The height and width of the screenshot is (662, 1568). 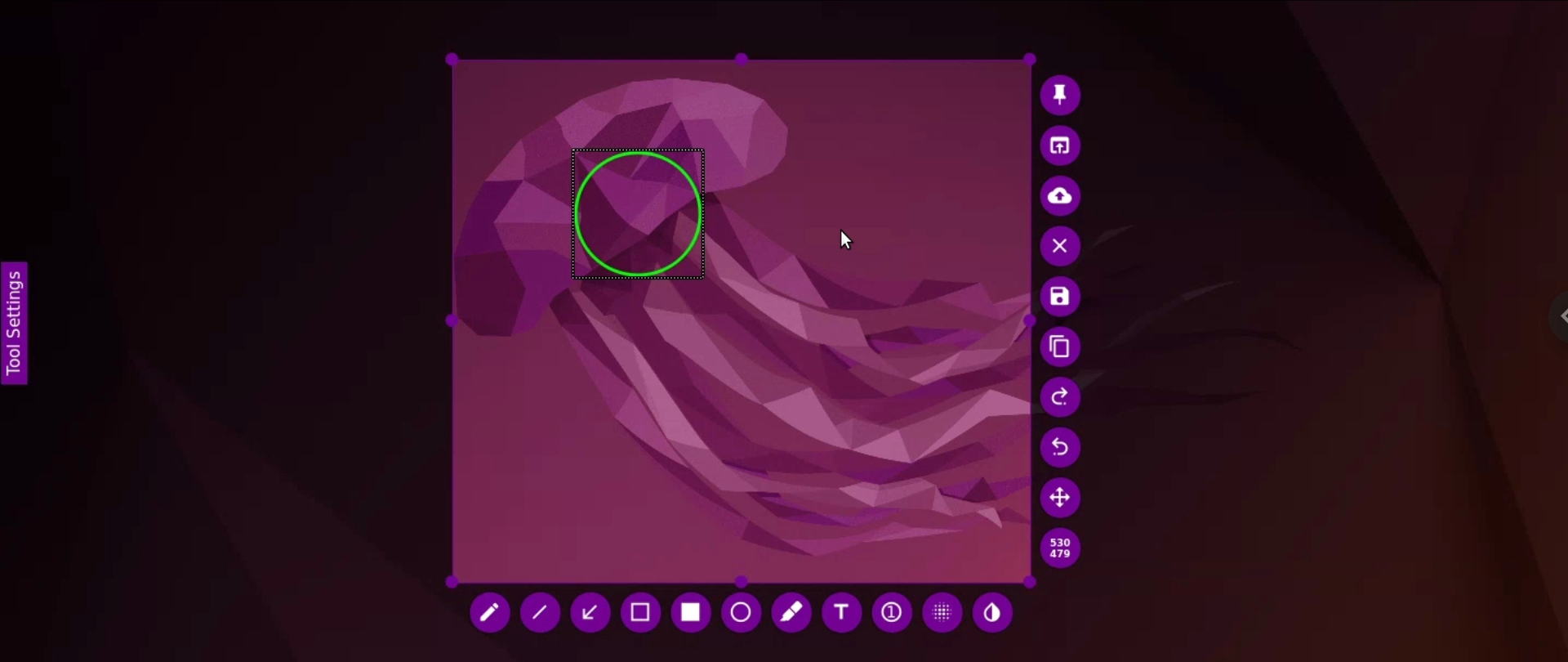 I want to click on circle drawing, so click(x=637, y=223).